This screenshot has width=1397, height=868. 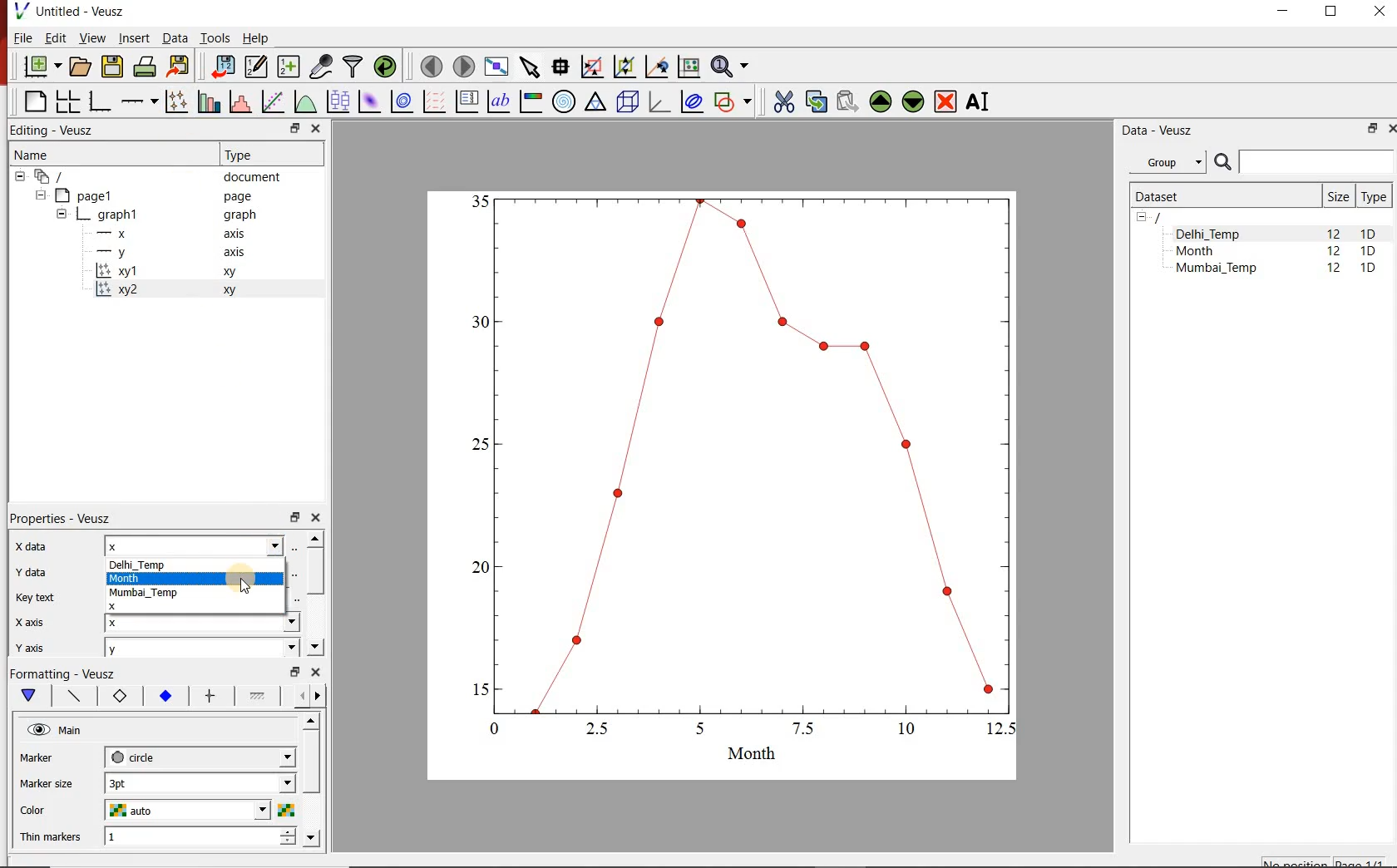 What do you see at coordinates (314, 518) in the screenshot?
I see `close` at bounding box center [314, 518].